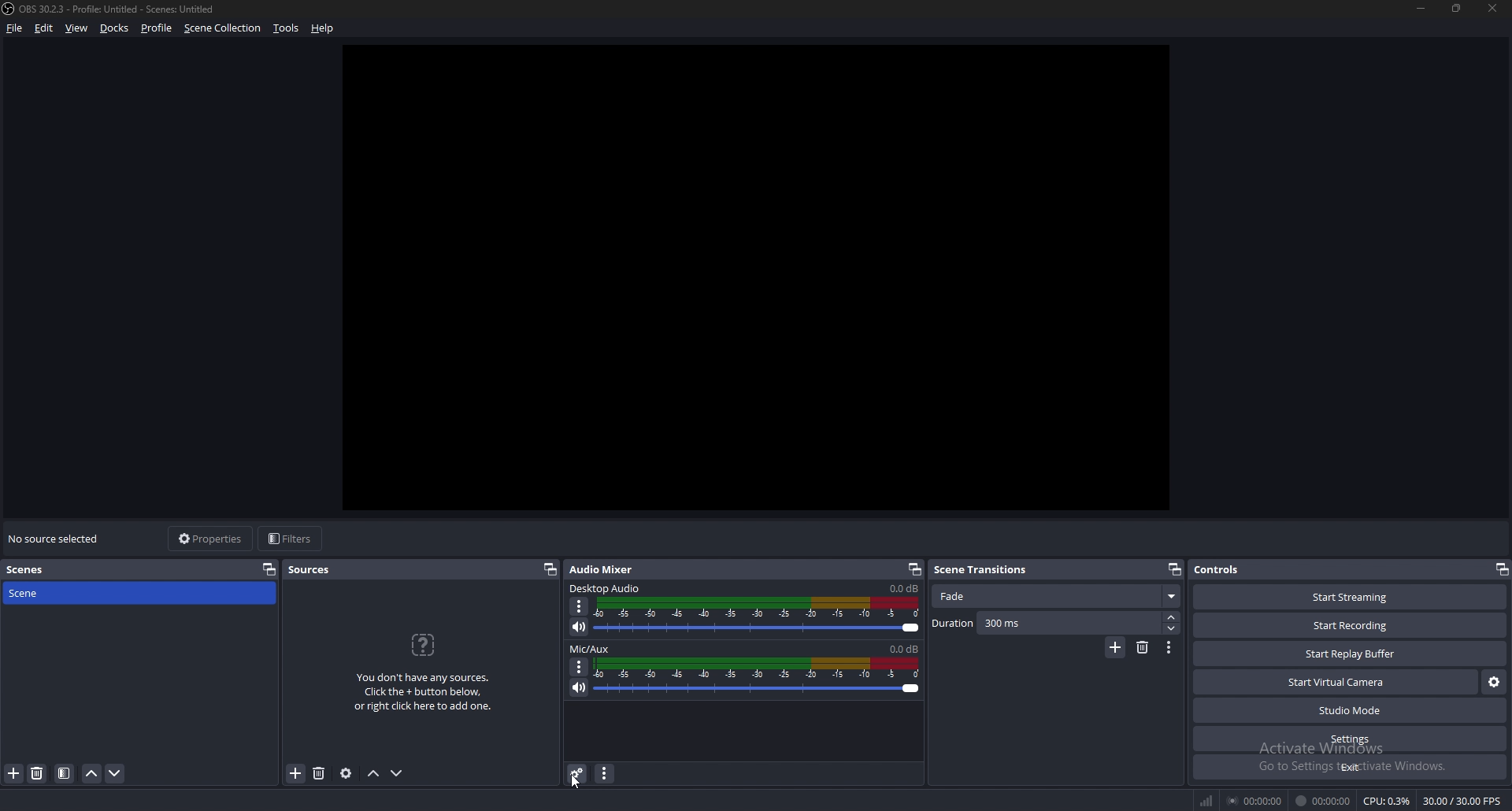  I want to click on studio mode, so click(1349, 711).